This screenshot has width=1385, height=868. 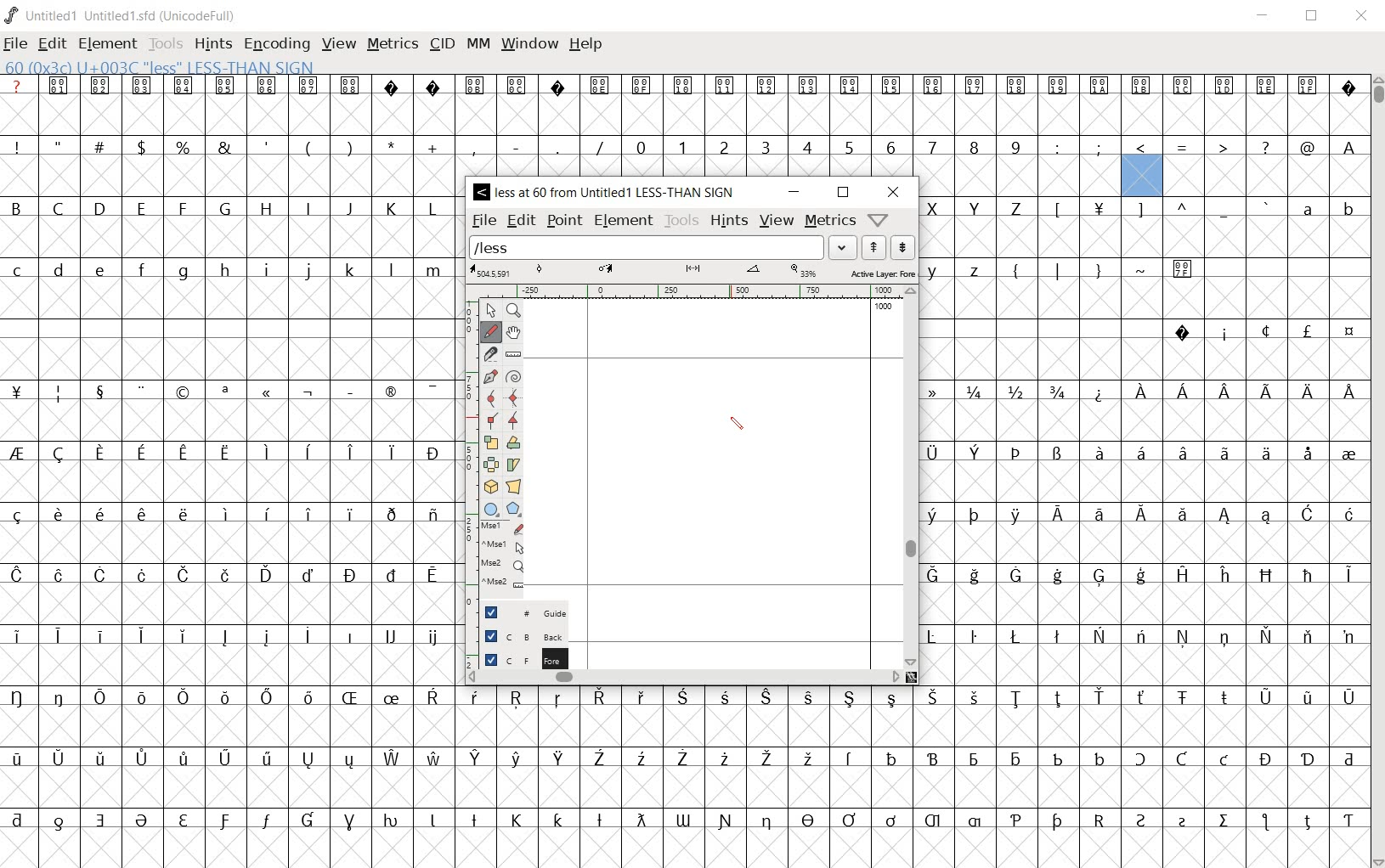 What do you see at coordinates (691, 273) in the screenshot?
I see `active layer: foreground` at bounding box center [691, 273].